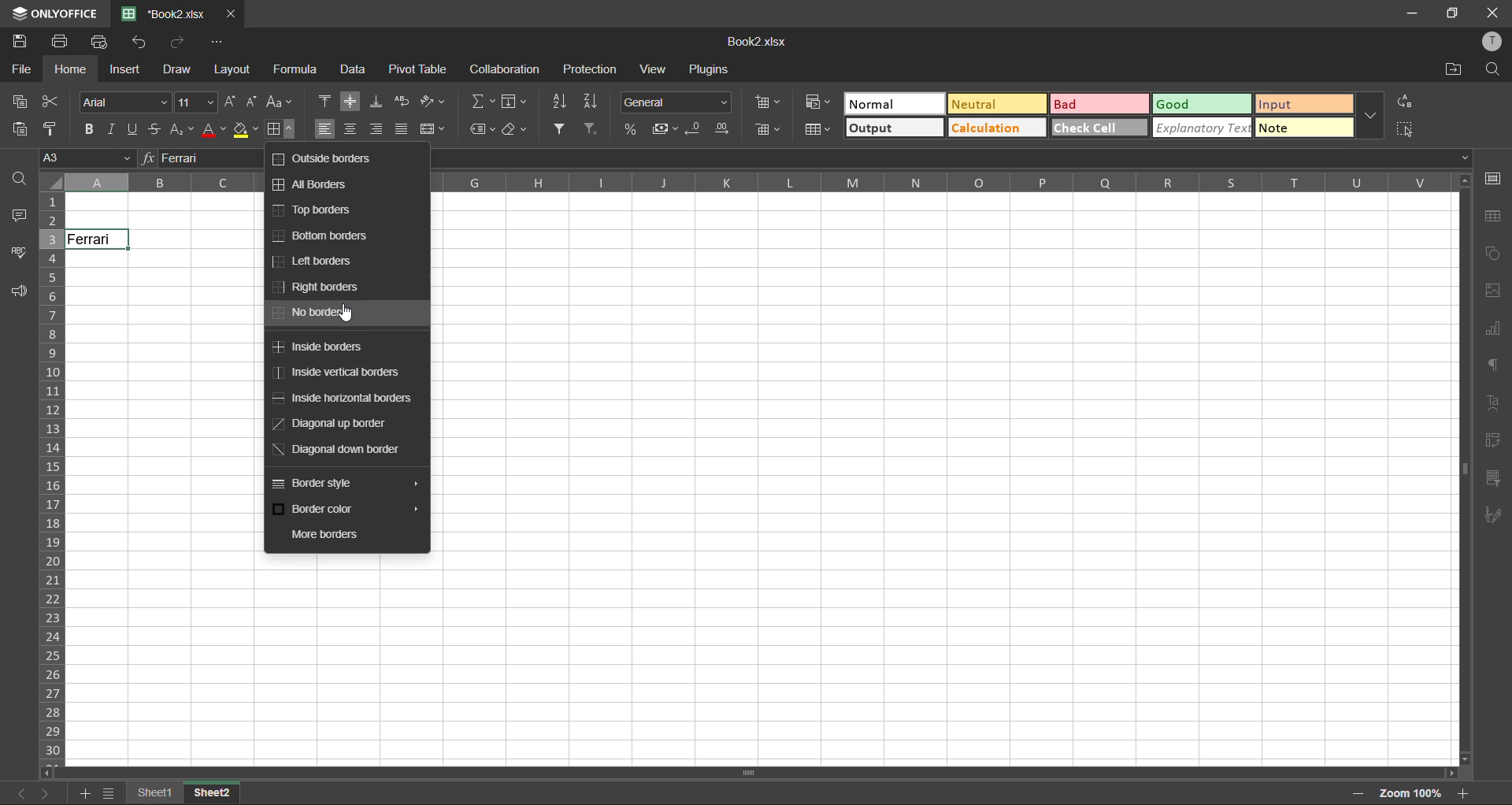 This screenshot has height=805, width=1512. What do you see at coordinates (559, 102) in the screenshot?
I see `sort ascending` at bounding box center [559, 102].